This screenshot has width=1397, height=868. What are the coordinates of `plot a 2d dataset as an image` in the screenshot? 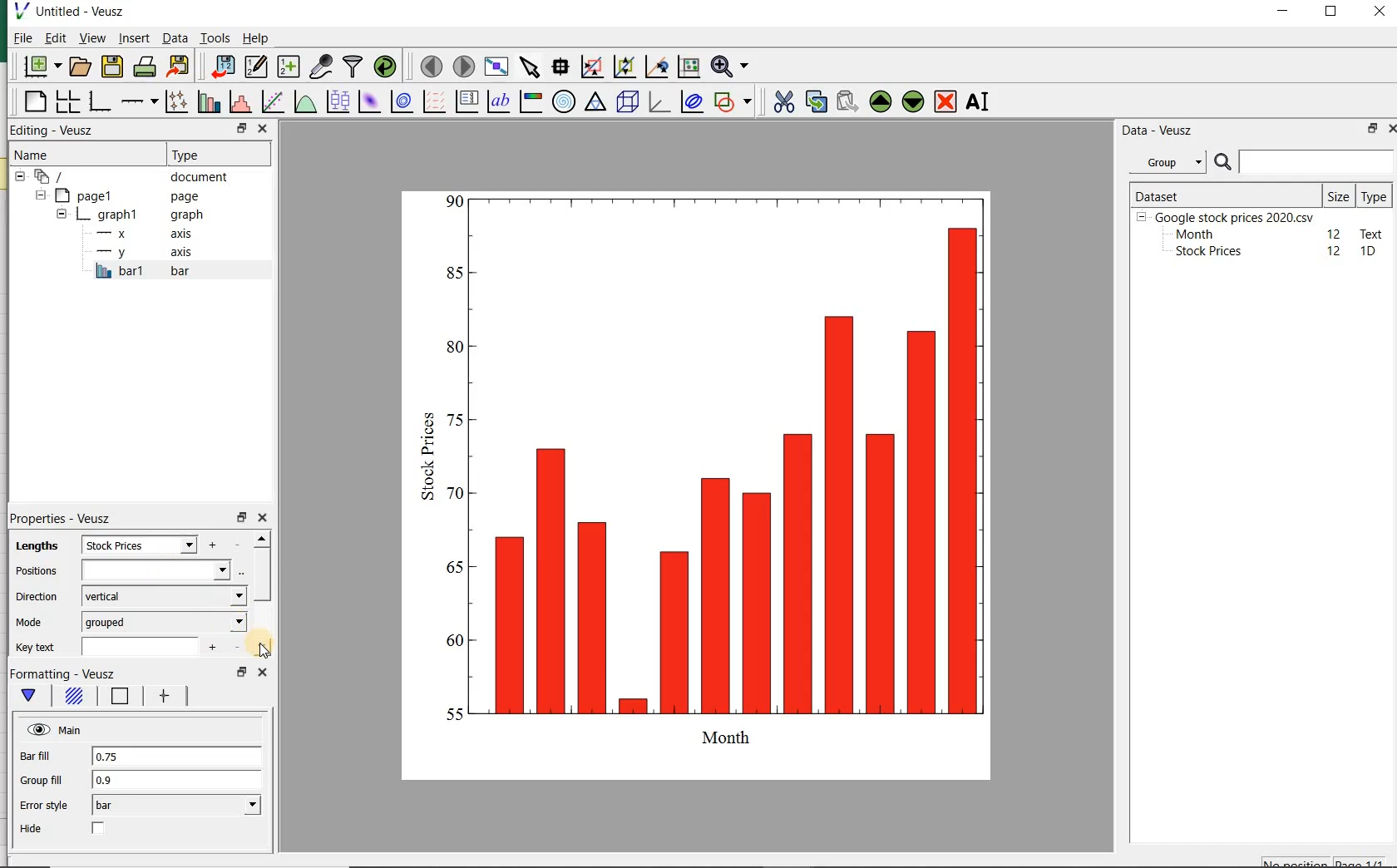 It's located at (368, 101).